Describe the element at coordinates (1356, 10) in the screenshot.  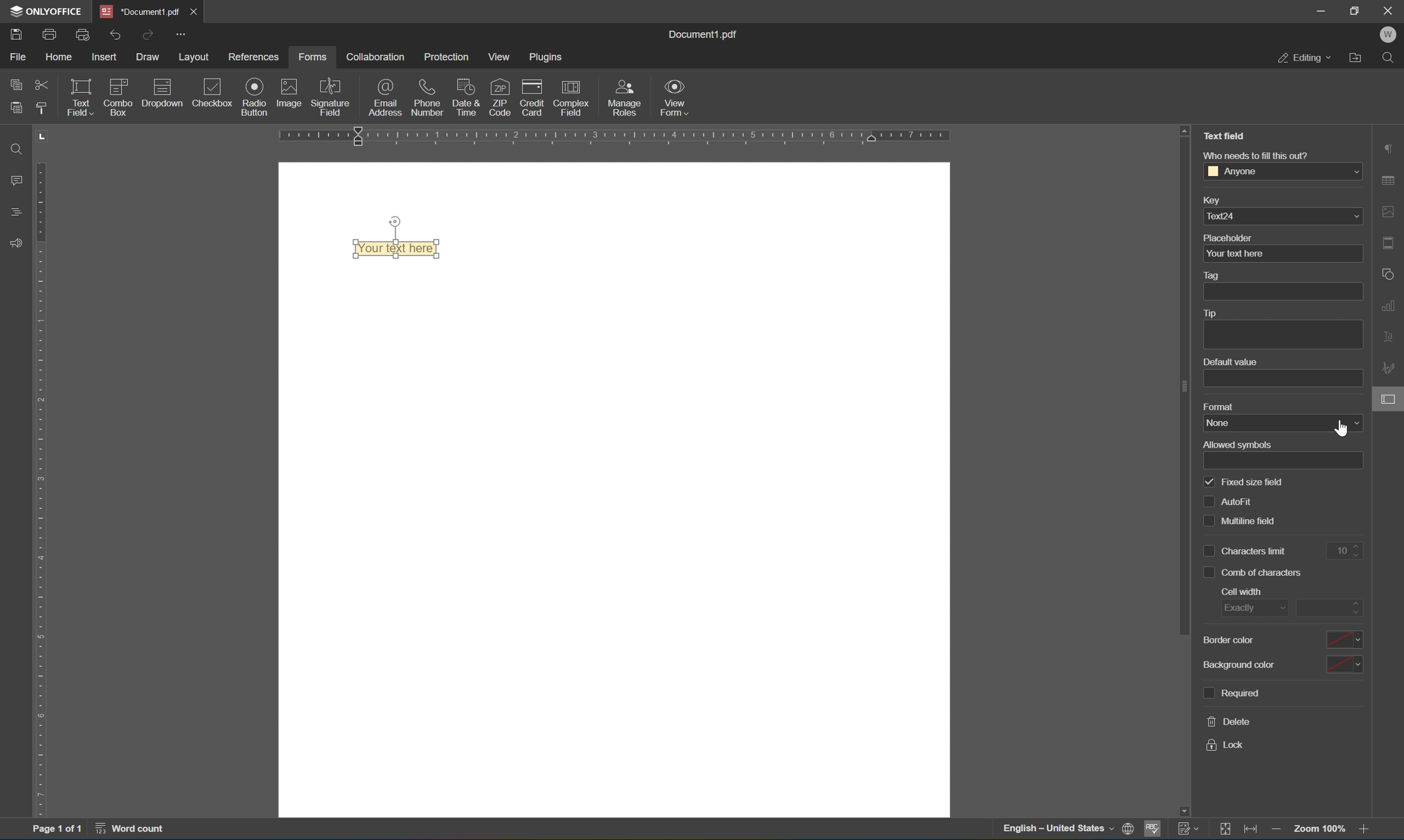
I see `restore down` at that location.